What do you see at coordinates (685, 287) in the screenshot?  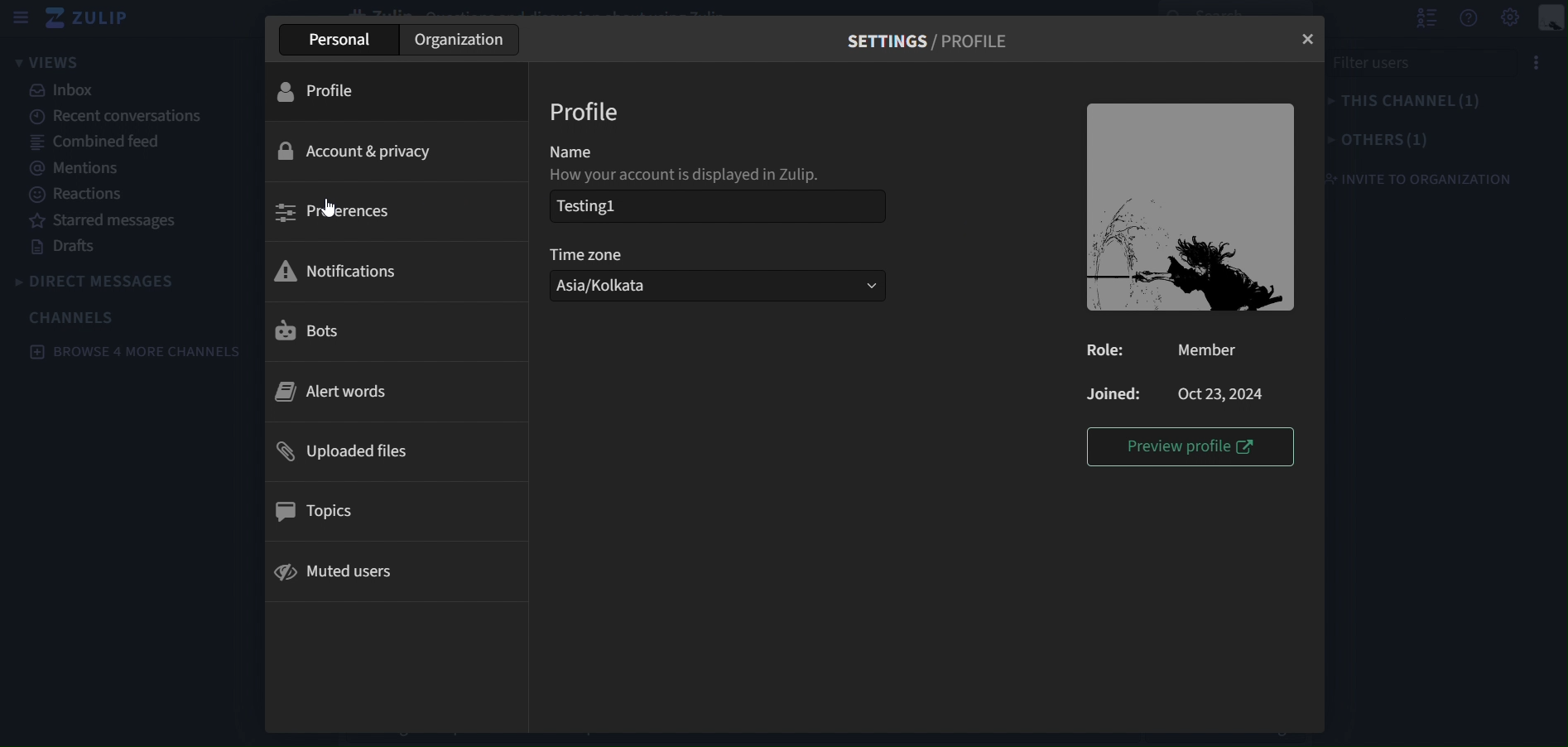 I see `Asia/kolkata` at bounding box center [685, 287].